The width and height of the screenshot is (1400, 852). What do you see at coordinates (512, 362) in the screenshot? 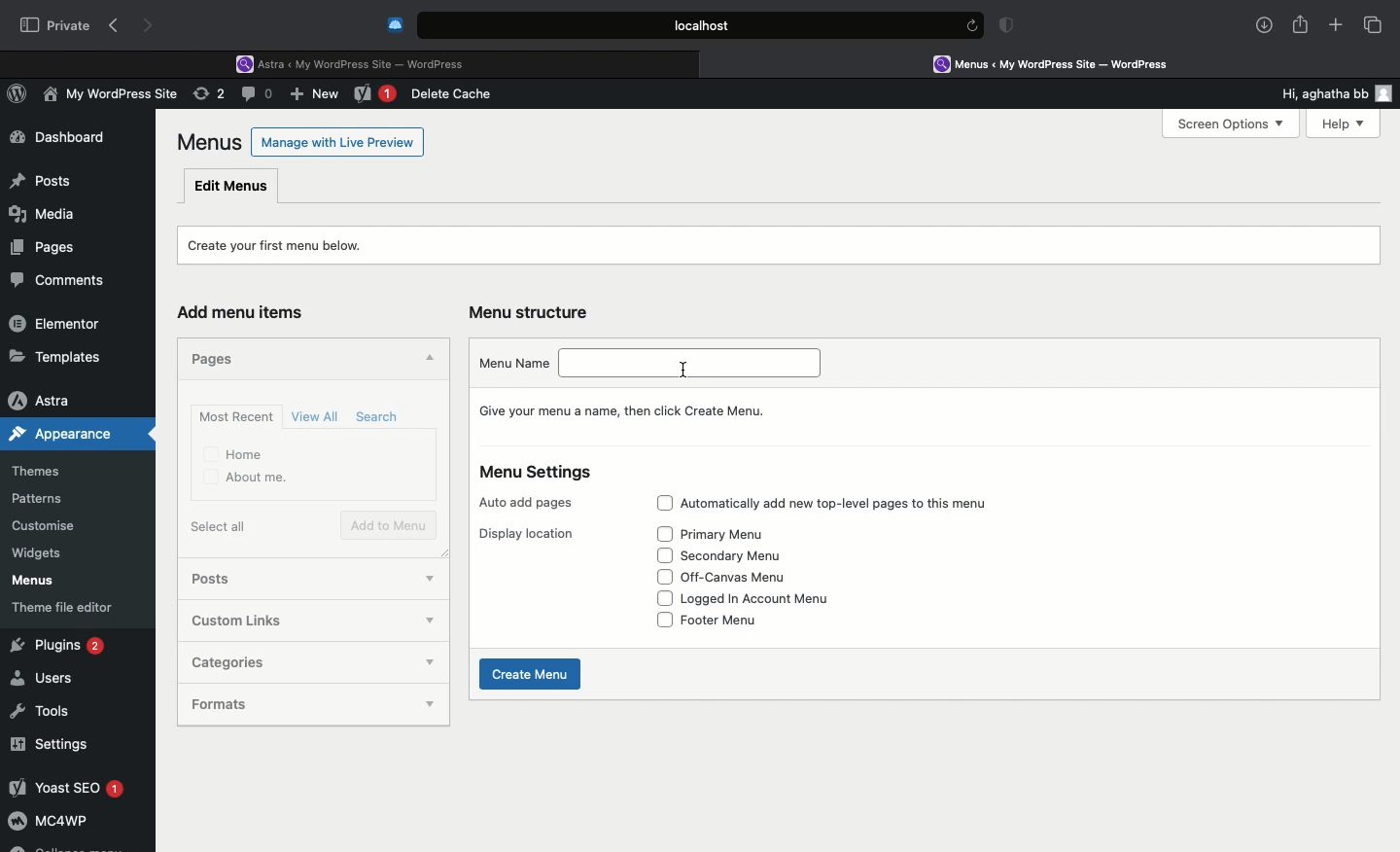
I see `Menu name` at bounding box center [512, 362].